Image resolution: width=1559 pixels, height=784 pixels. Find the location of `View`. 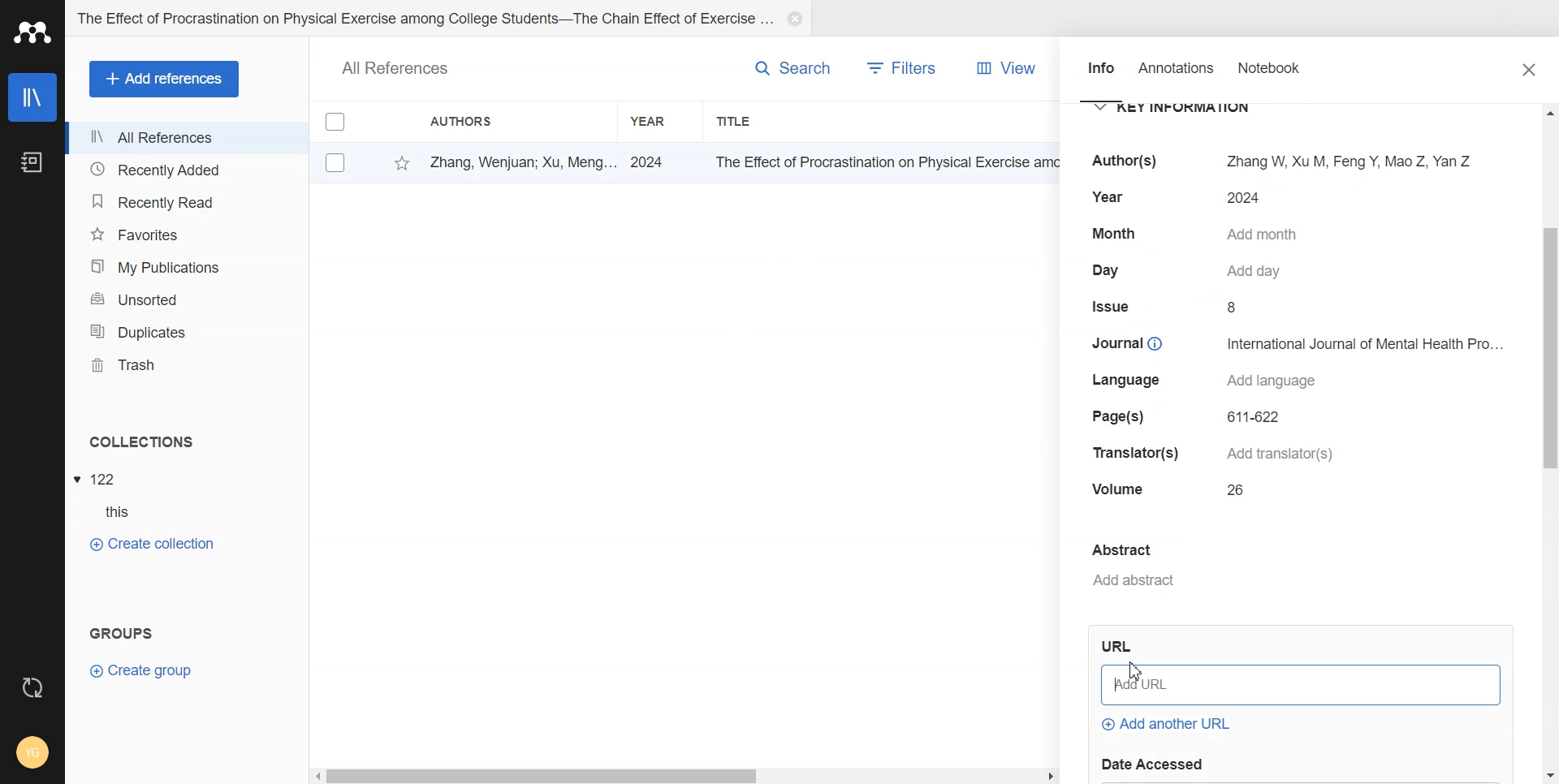

View is located at coordinates (1003, 67).